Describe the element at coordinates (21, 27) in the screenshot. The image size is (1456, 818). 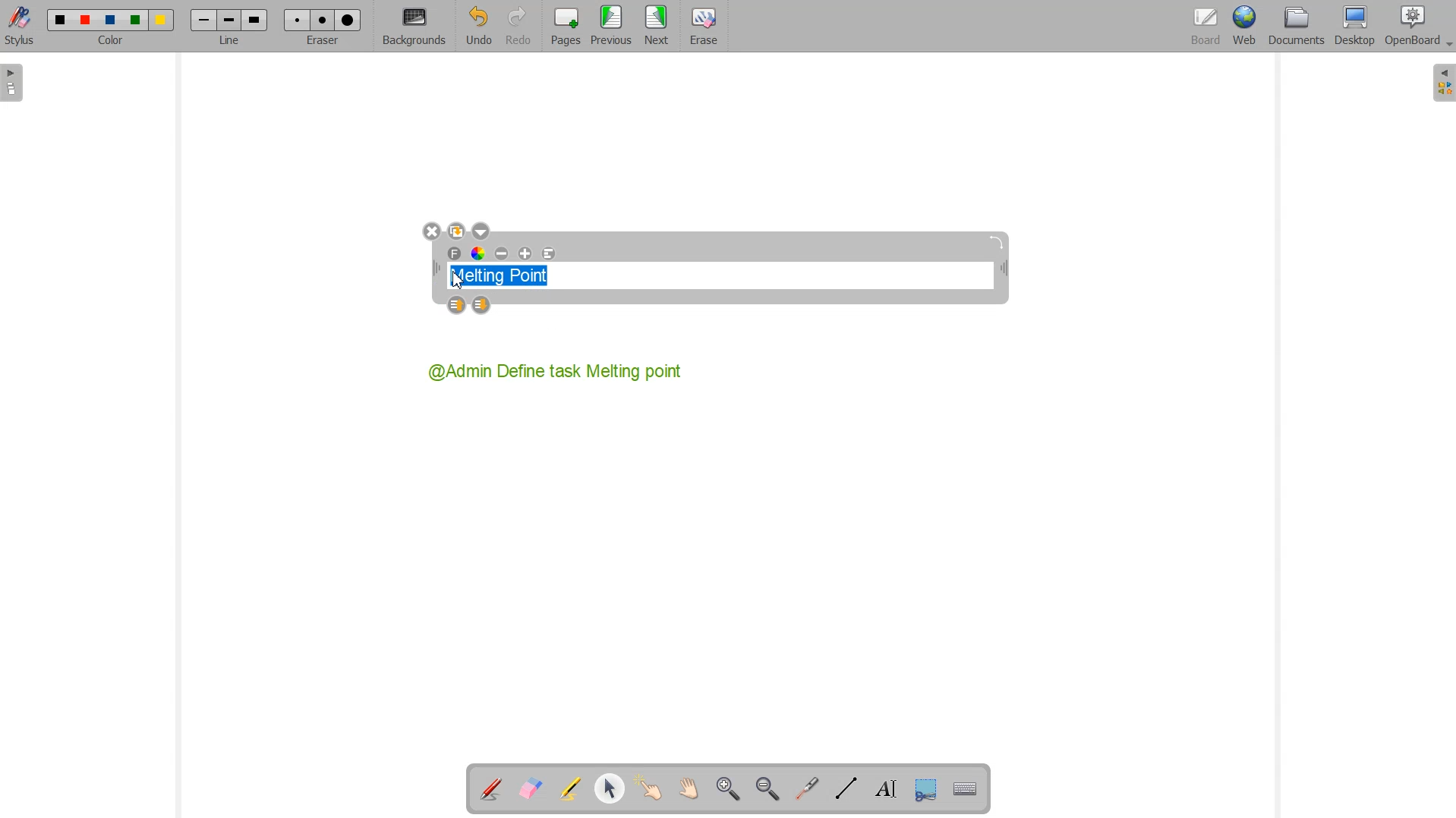
I see `Stylus` at that location.